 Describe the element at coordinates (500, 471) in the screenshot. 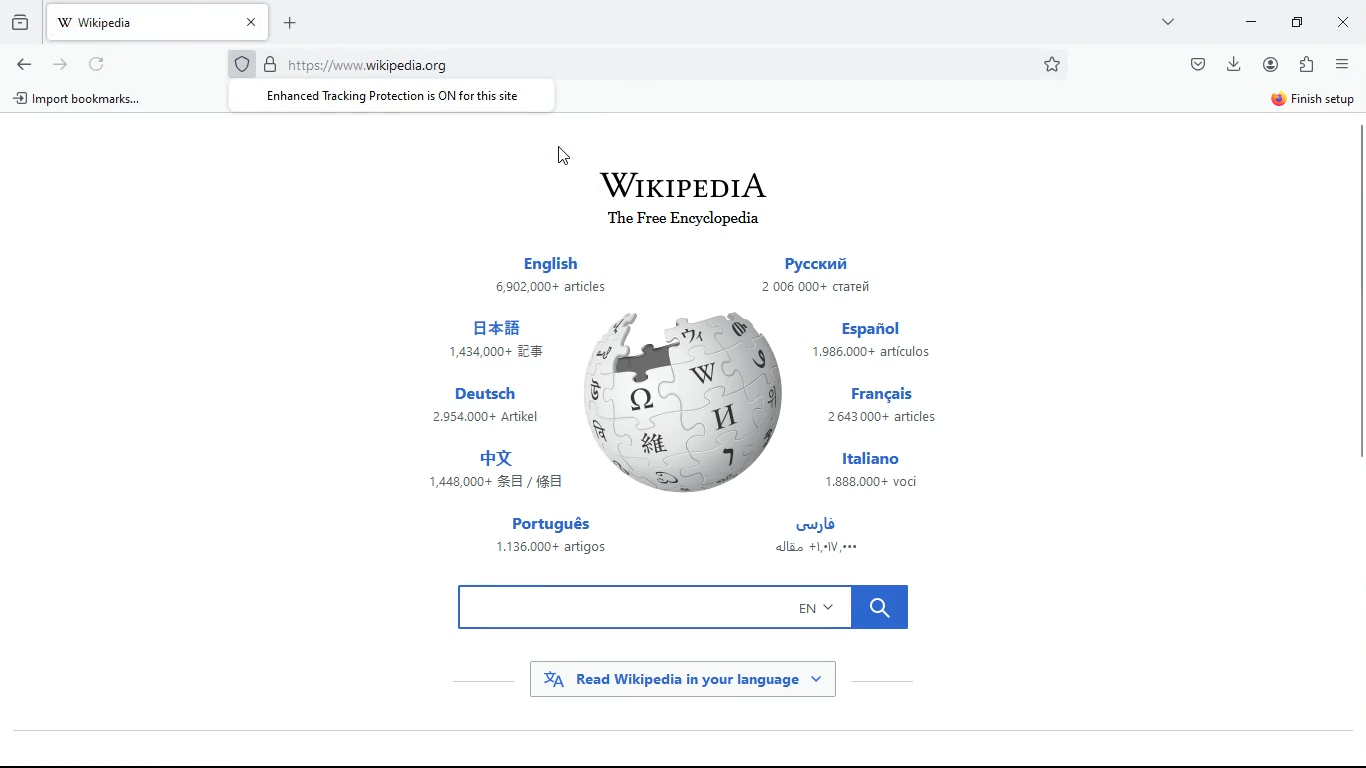

I see `japanese` at that location.